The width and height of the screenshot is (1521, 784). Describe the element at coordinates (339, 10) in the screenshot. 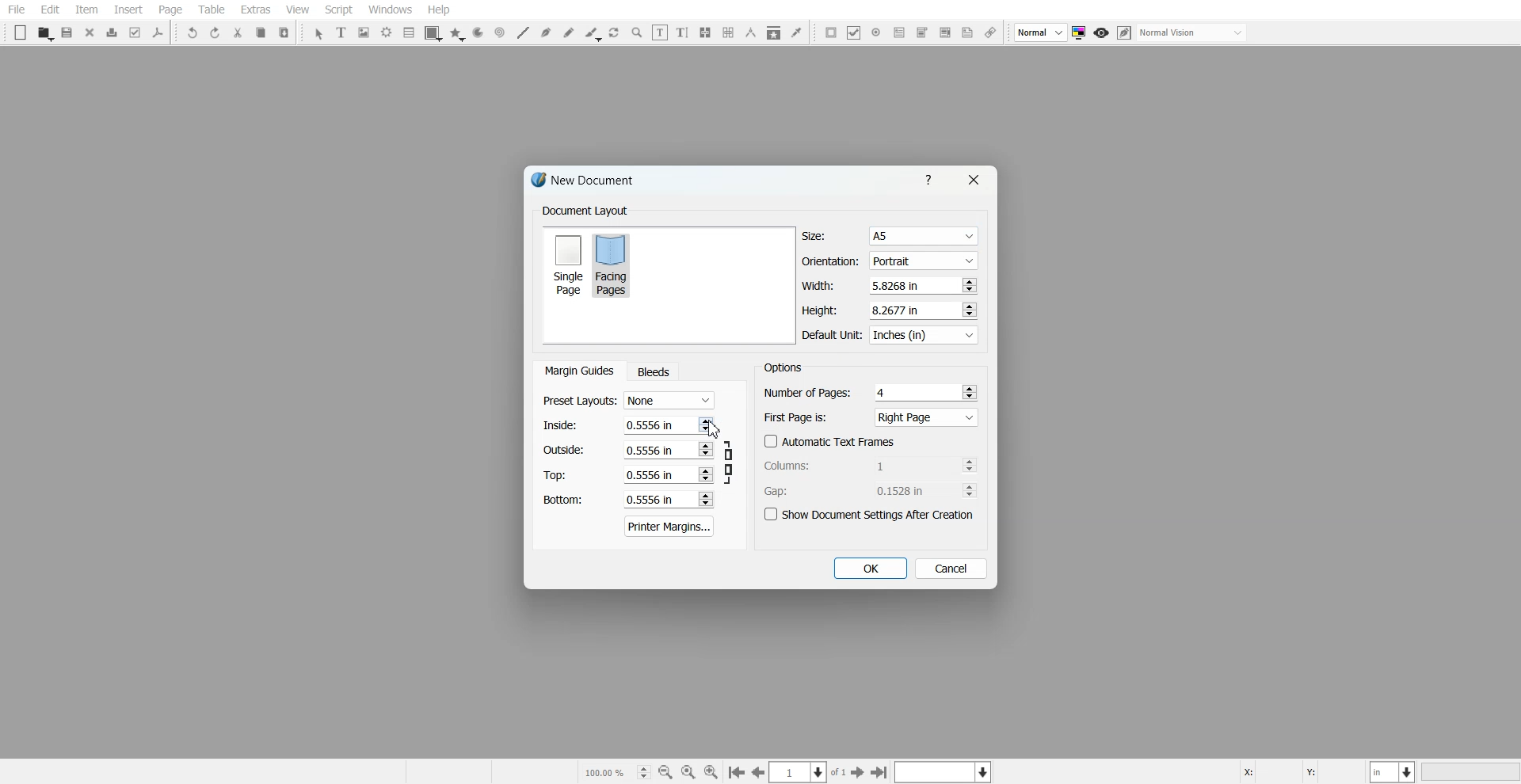

I see `Script` at that location.